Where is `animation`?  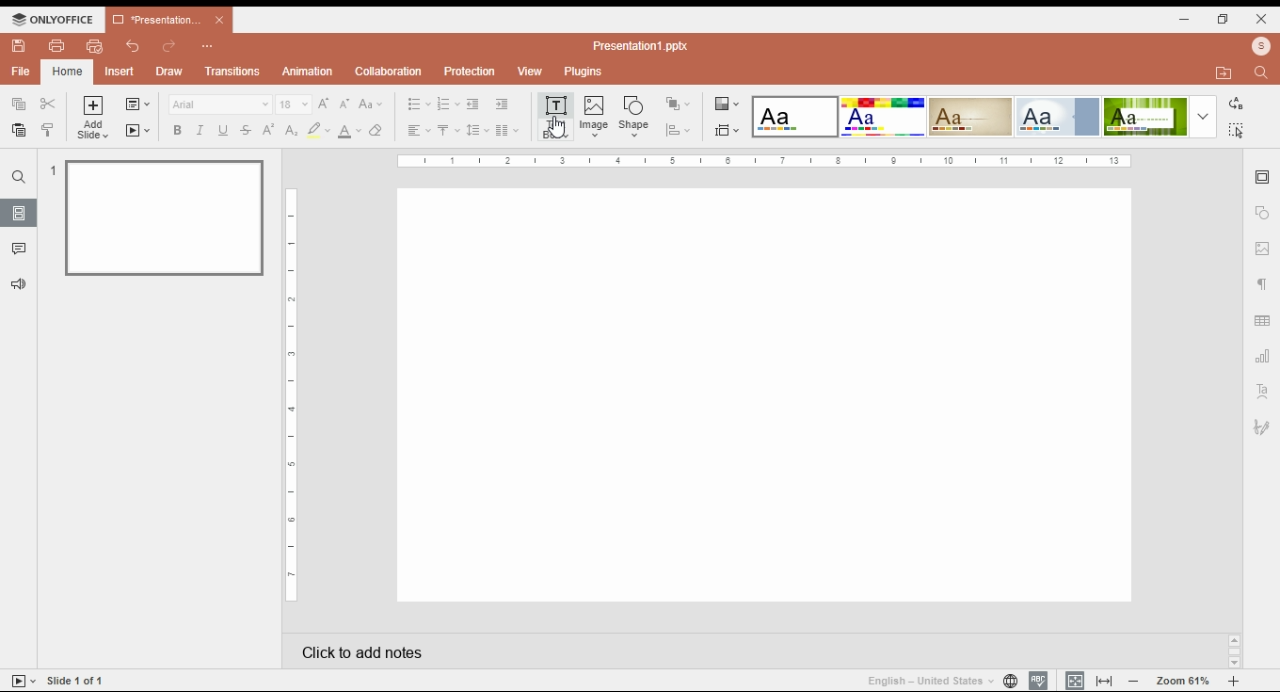
animation is located at coordinates (306, 71).